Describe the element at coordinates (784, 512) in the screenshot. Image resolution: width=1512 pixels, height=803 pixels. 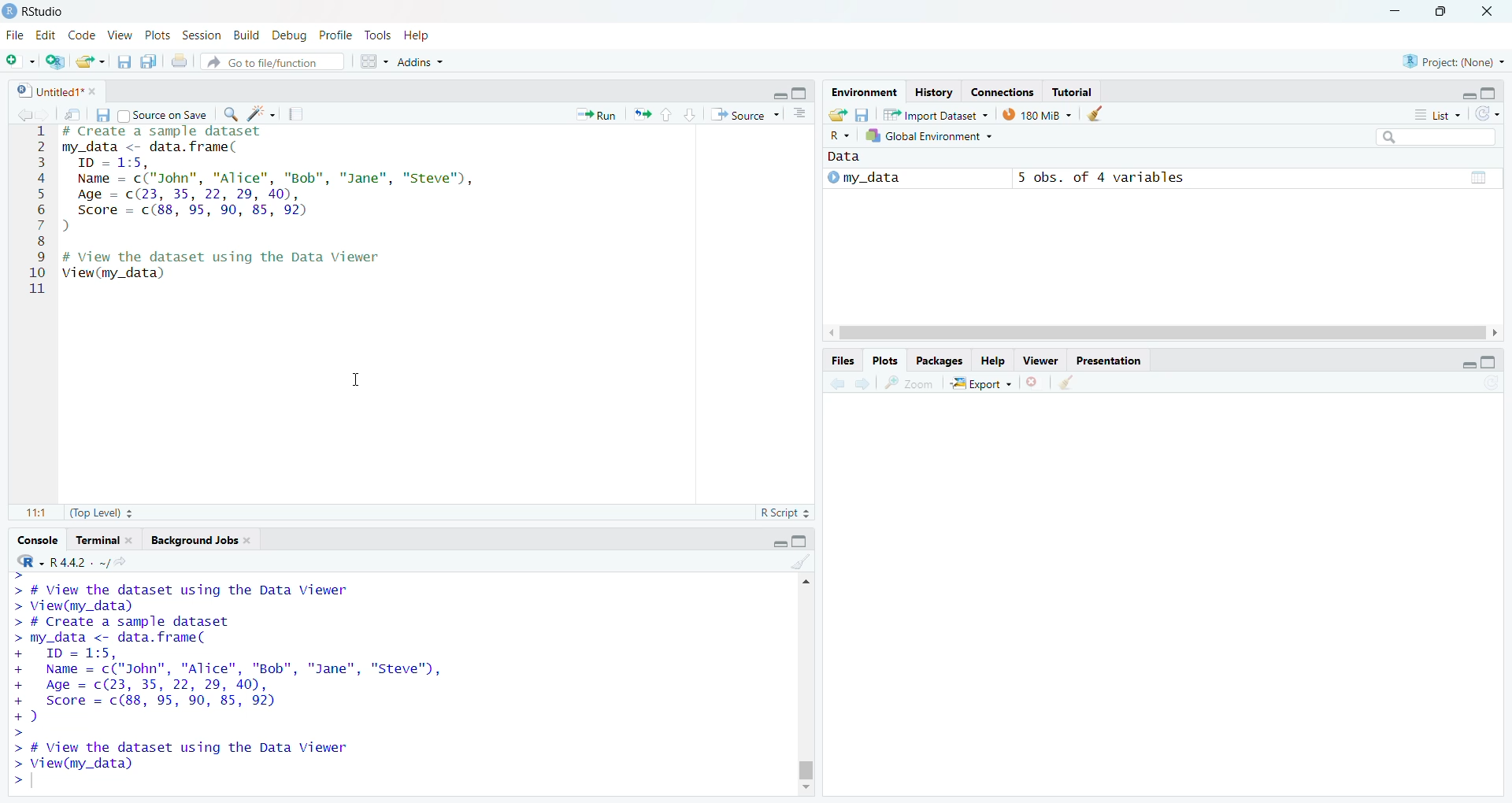
I see `R Script` at that location.